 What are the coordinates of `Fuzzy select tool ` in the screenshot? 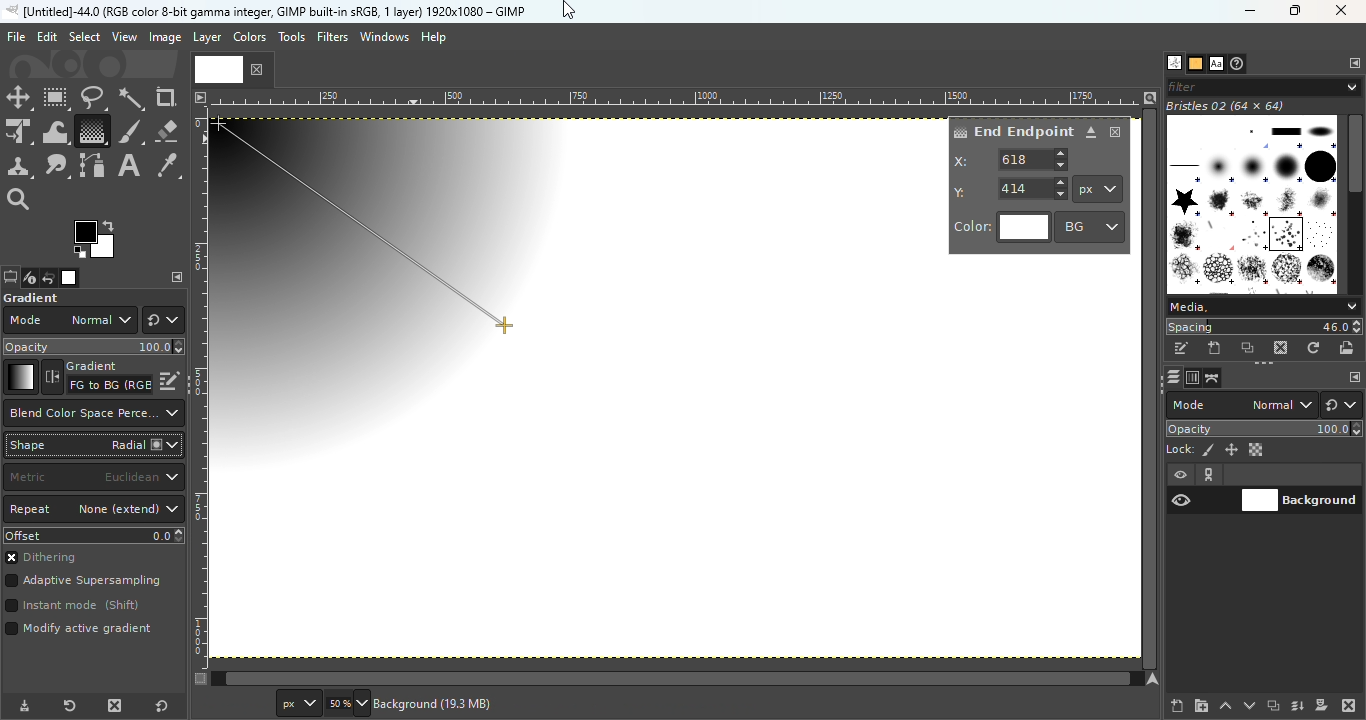 It's located at (132, 98).